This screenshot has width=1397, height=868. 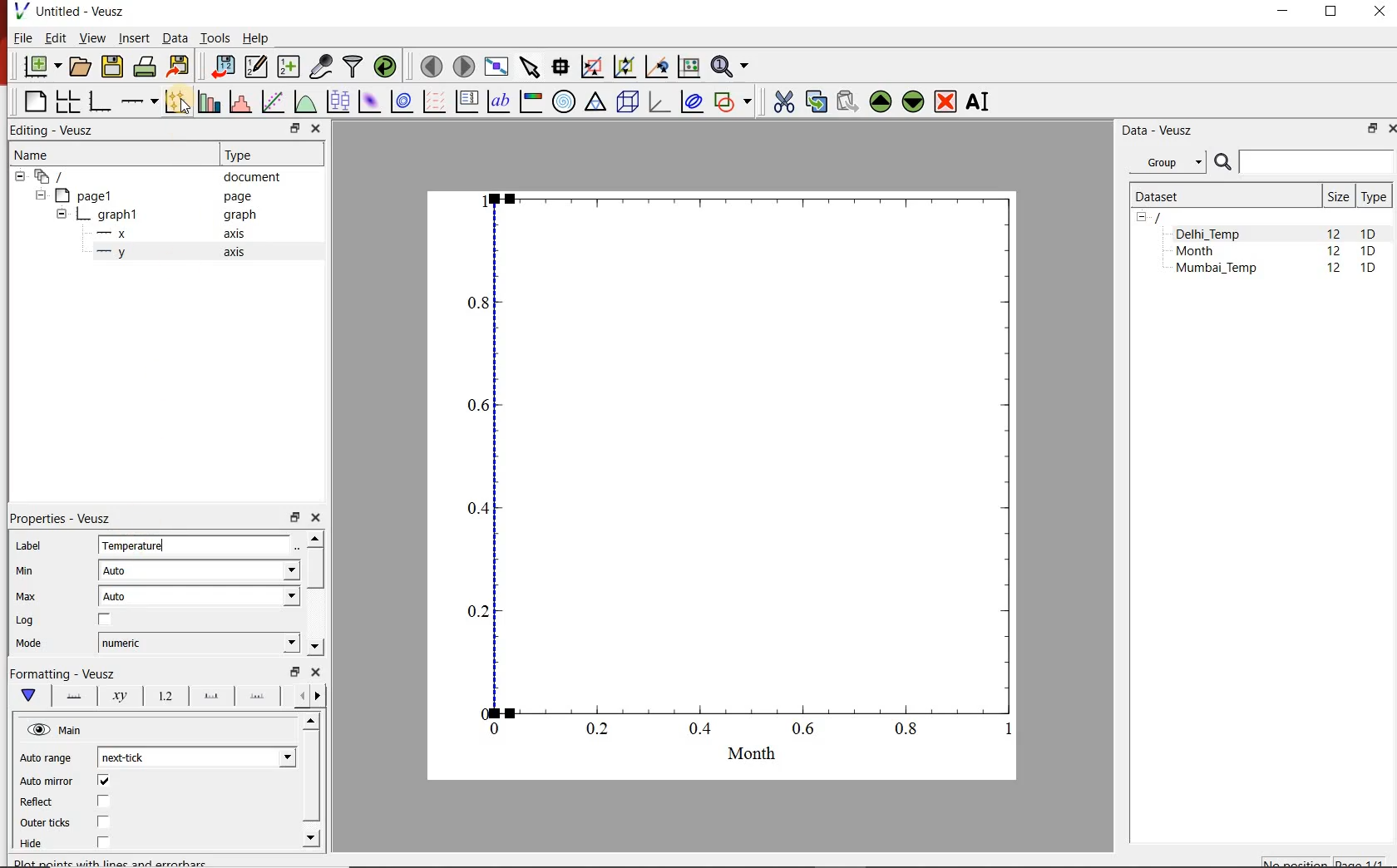 I want to click on Tools, so click(x=216, y=38).